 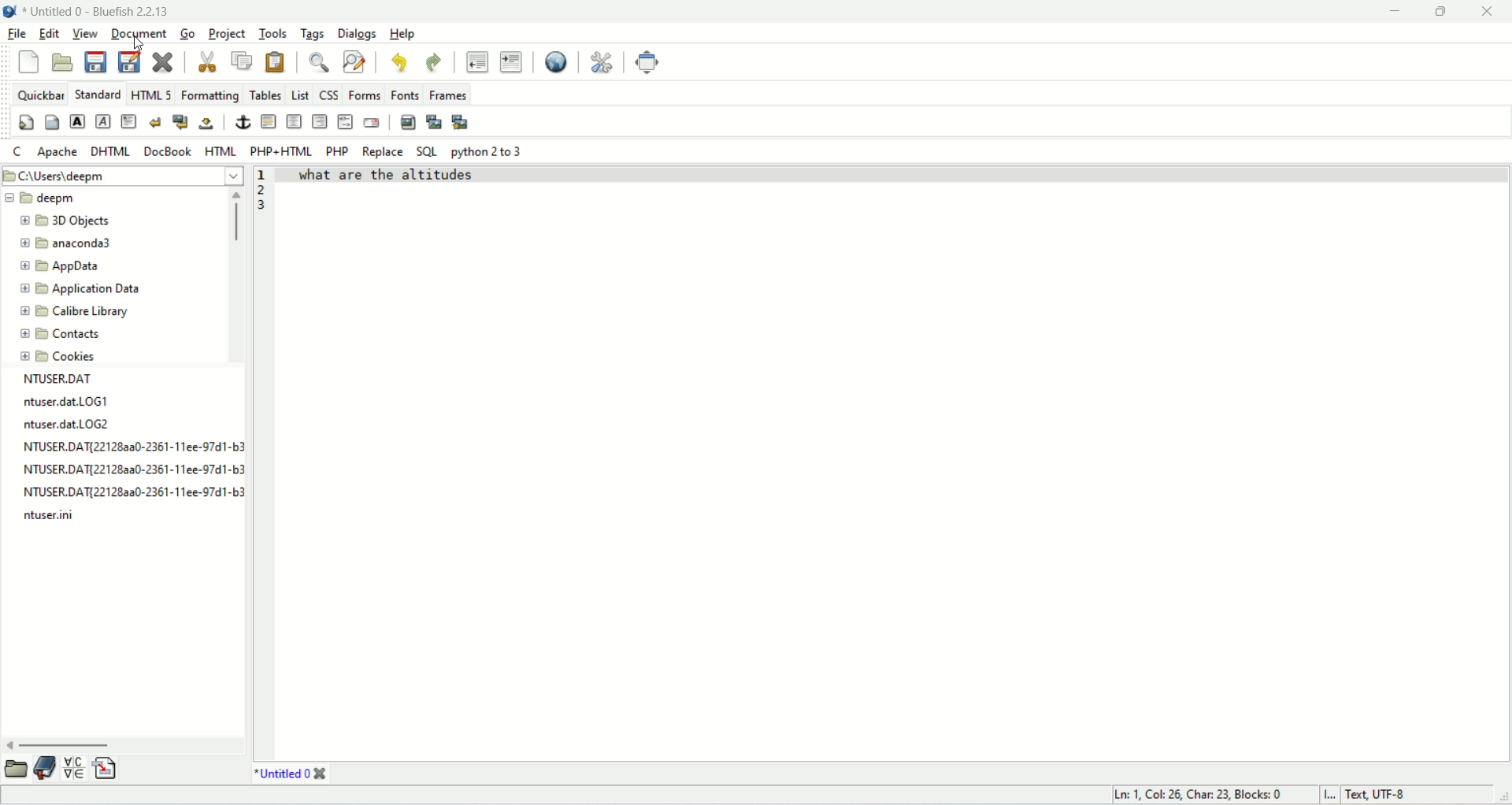 What do you see at coordinates (17, 769) in the screenshot?
I see `open` at bounding box center [17, 769].